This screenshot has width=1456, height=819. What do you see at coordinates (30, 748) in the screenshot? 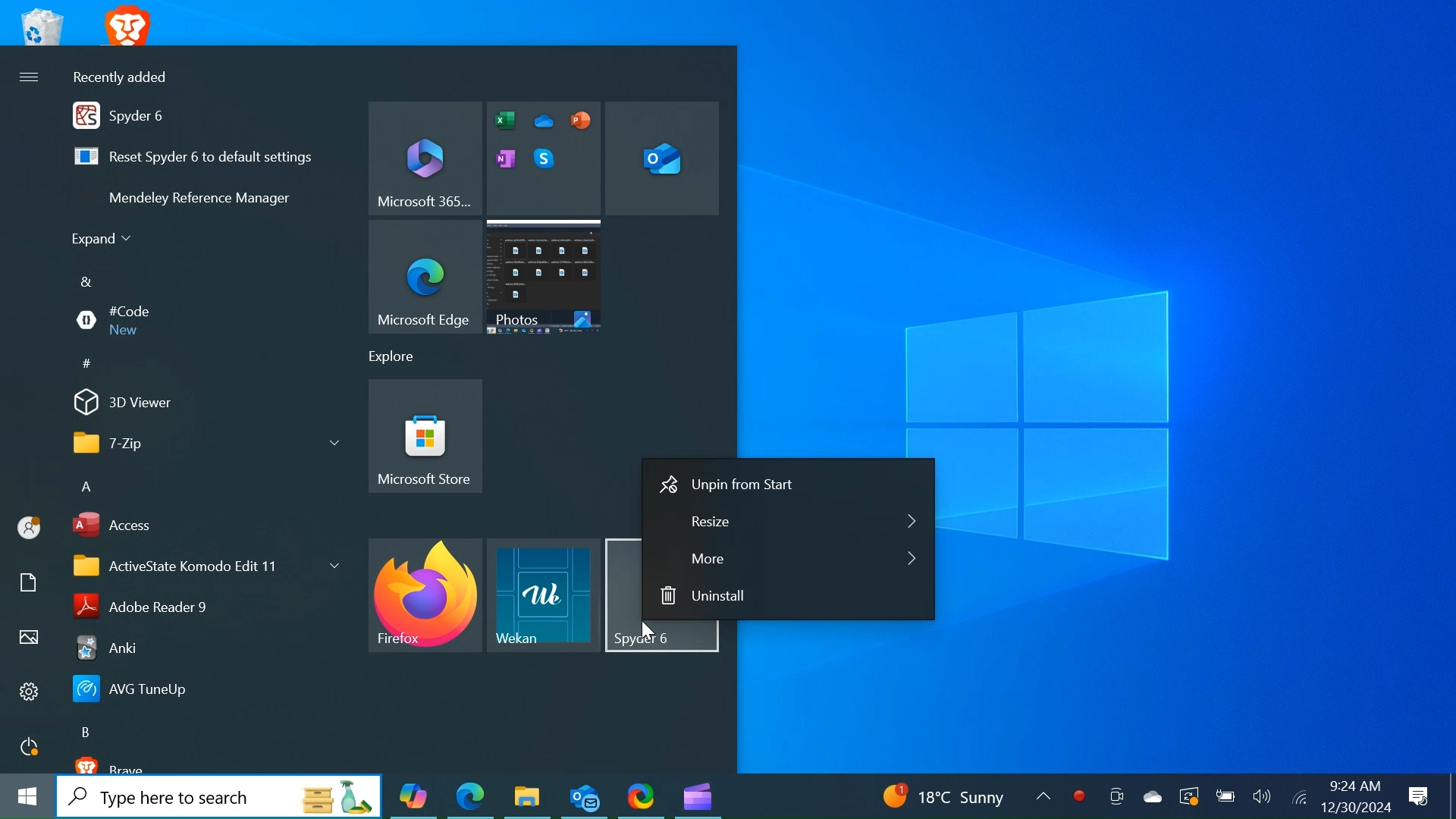
I see `Power` at bounding box center [30, 748].